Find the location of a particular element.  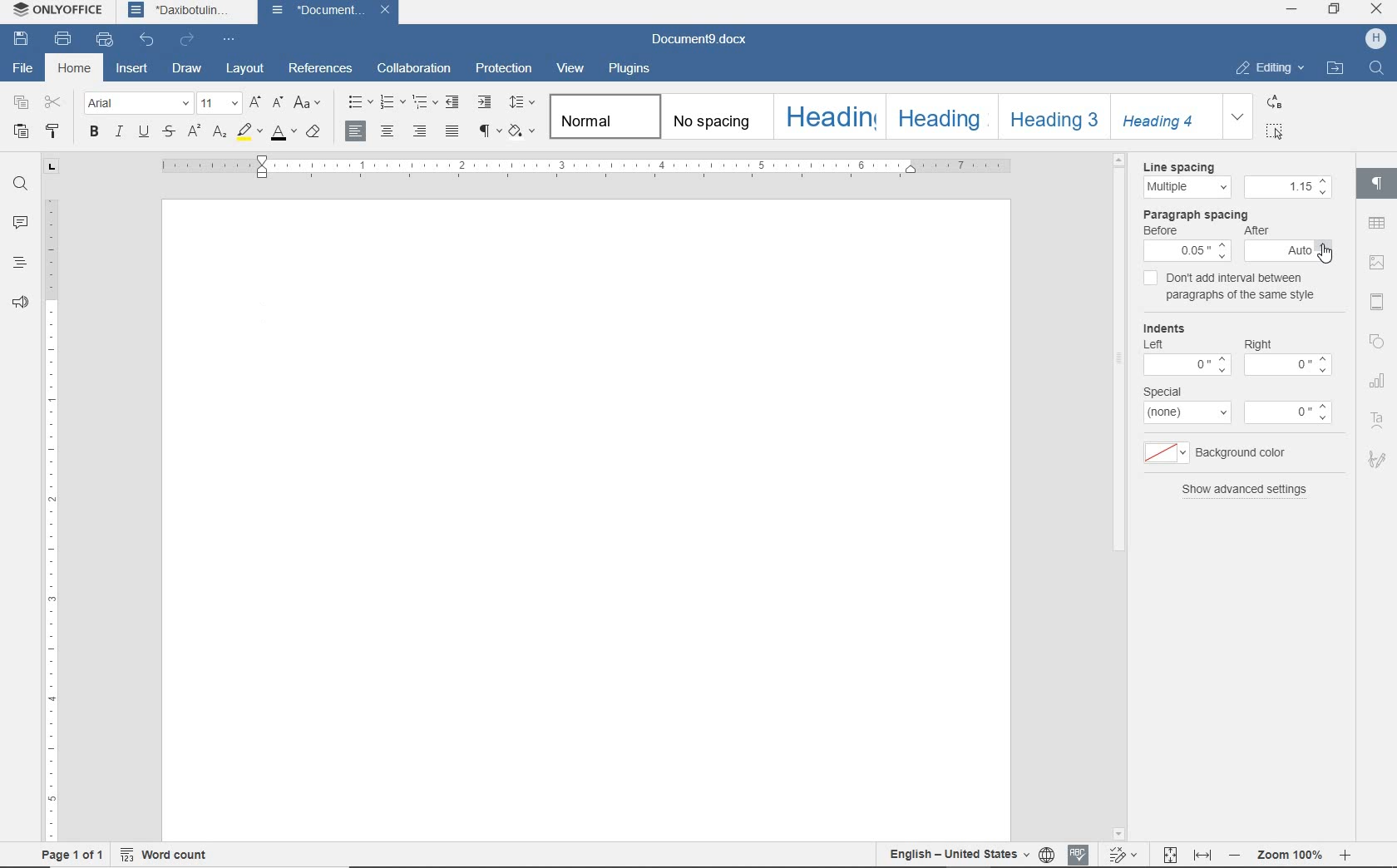

font size is located at coordinates (220, 104).